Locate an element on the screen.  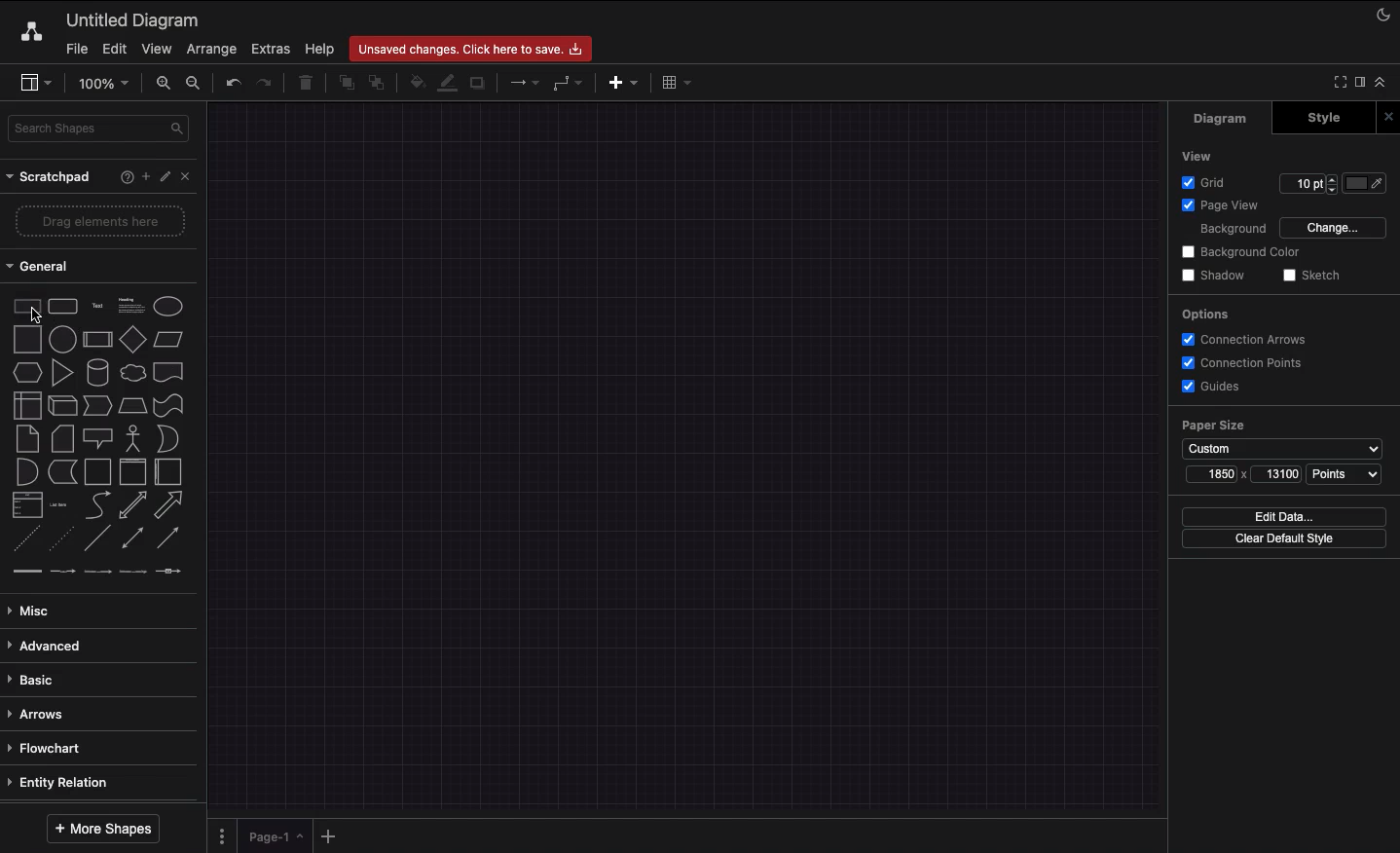
Undo is located at coordinates (235, 84).